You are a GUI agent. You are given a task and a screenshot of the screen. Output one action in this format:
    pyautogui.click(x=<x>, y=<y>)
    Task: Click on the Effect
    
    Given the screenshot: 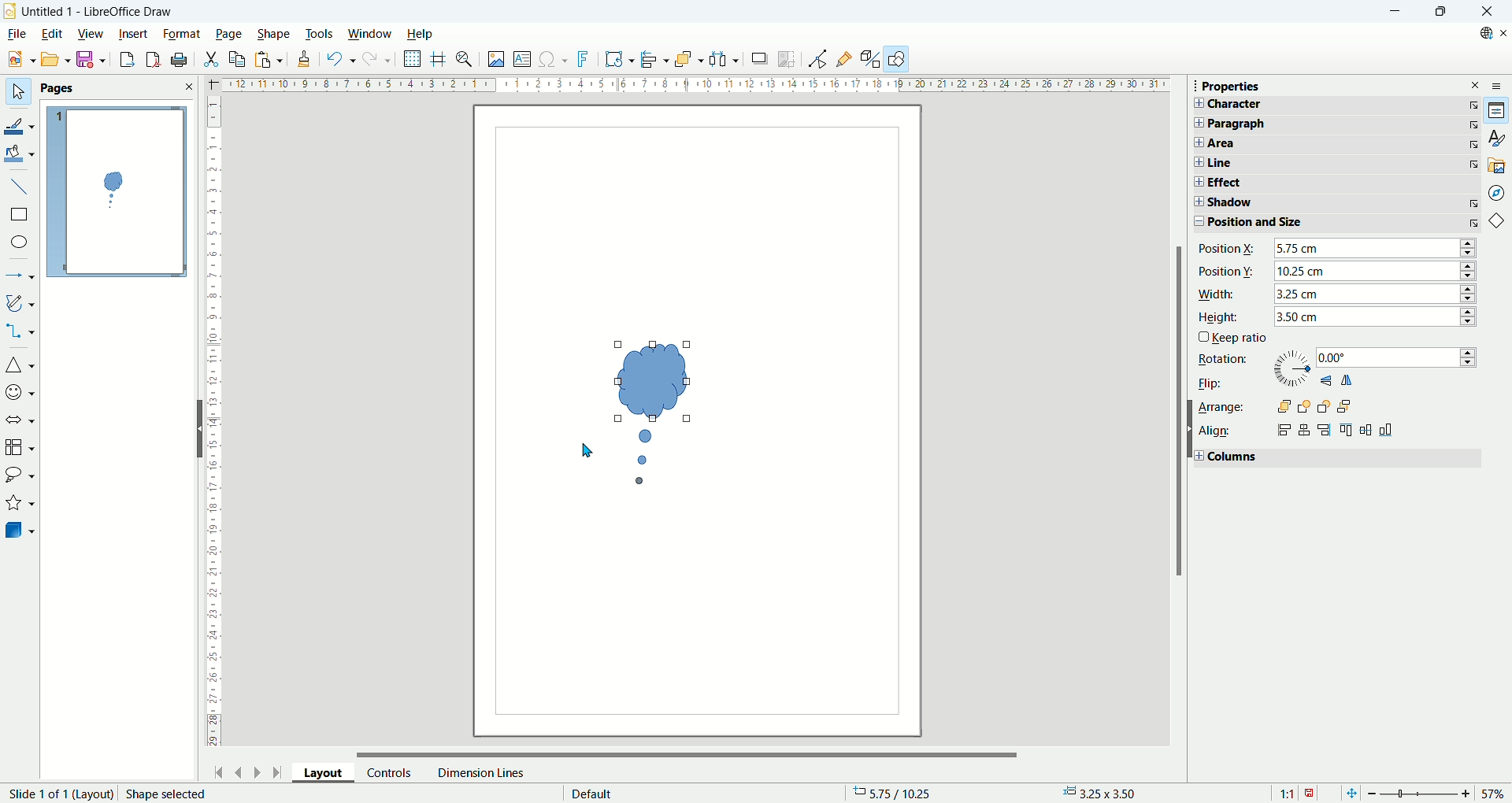 What is the action you would take?
    pyautogui.click(x=1279, y=182)
    